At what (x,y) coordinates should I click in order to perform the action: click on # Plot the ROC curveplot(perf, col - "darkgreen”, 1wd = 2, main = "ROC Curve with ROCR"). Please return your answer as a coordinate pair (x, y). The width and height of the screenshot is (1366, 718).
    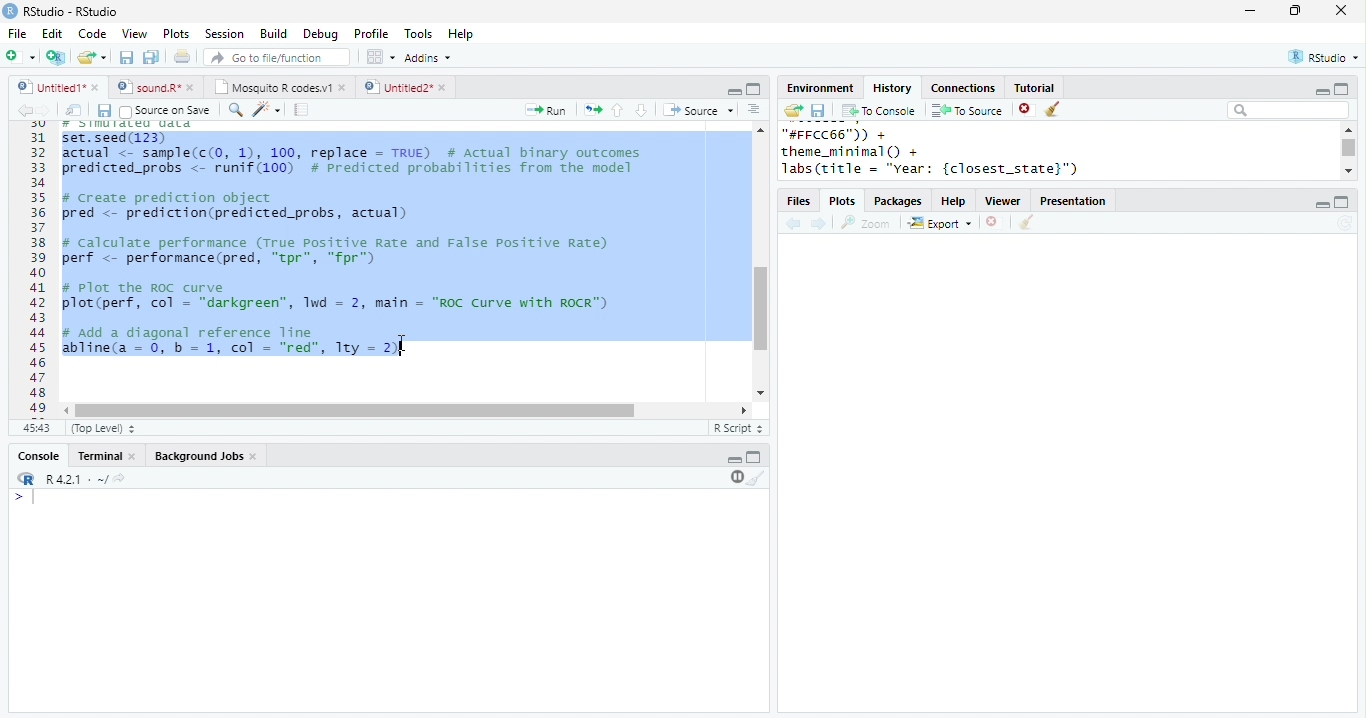
    Looking at the image, I should click on (339, 297).